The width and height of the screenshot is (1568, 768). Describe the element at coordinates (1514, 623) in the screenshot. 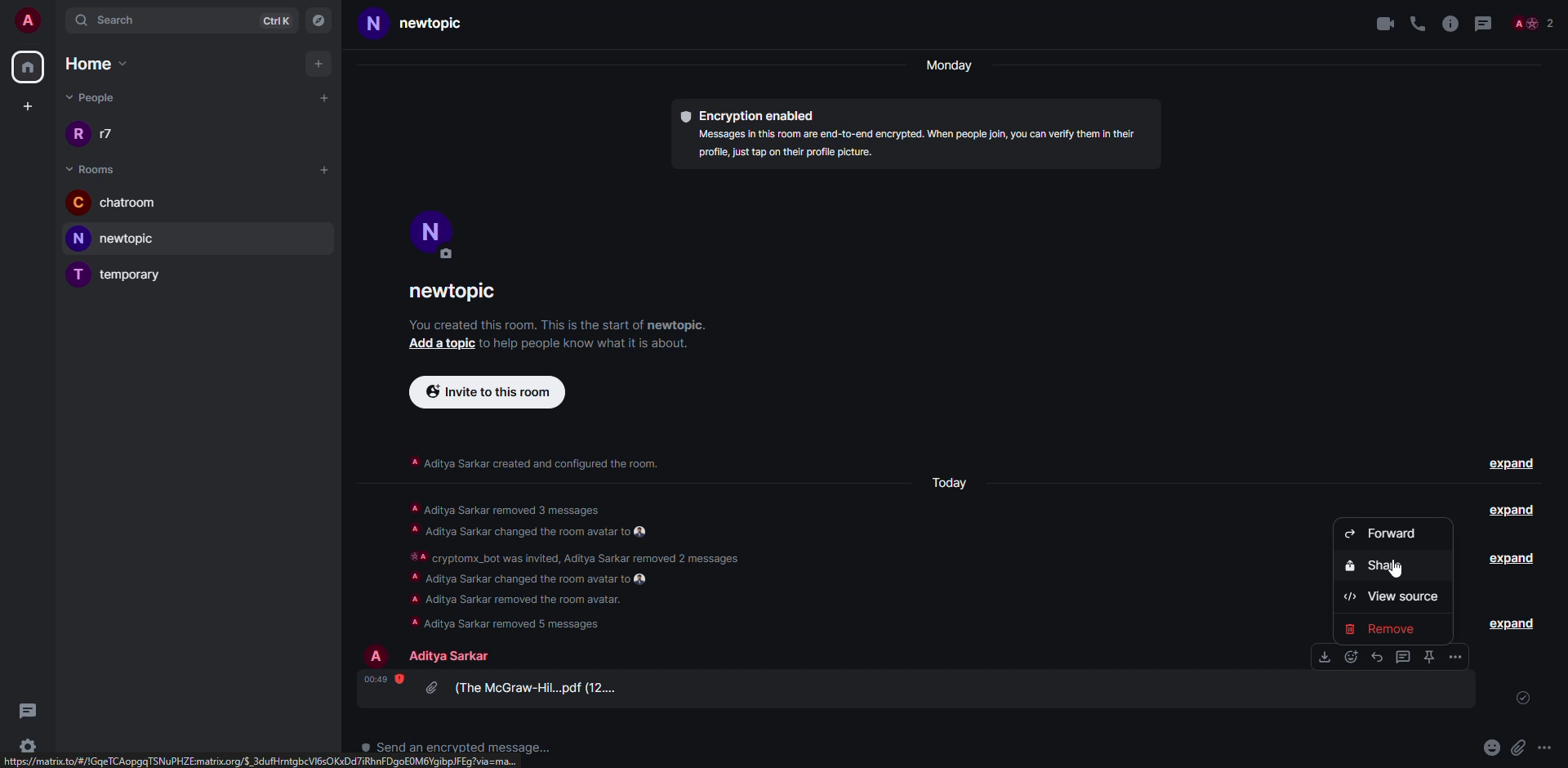

I see `expand` at that location.